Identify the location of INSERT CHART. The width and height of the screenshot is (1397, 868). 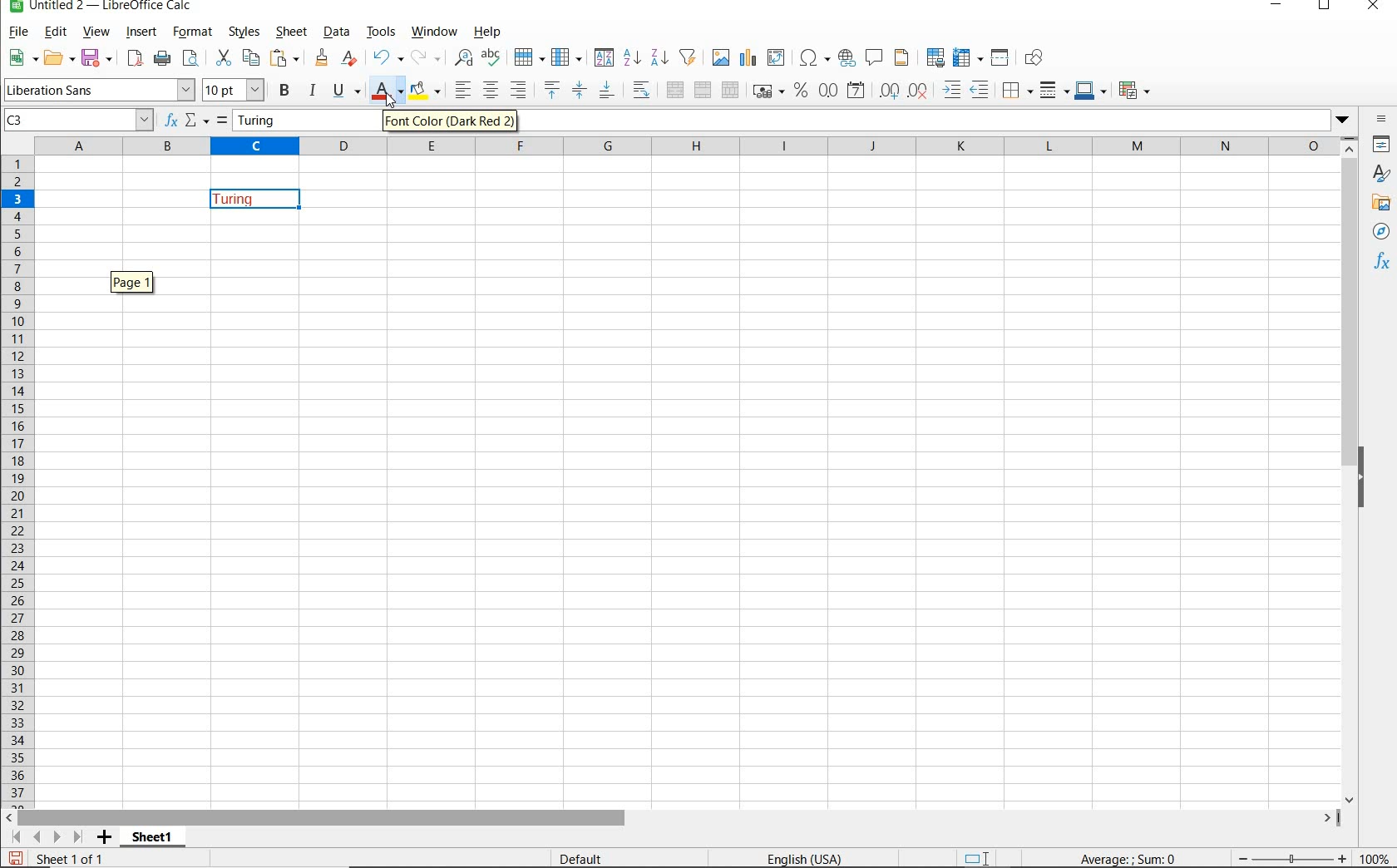
(748, 57).